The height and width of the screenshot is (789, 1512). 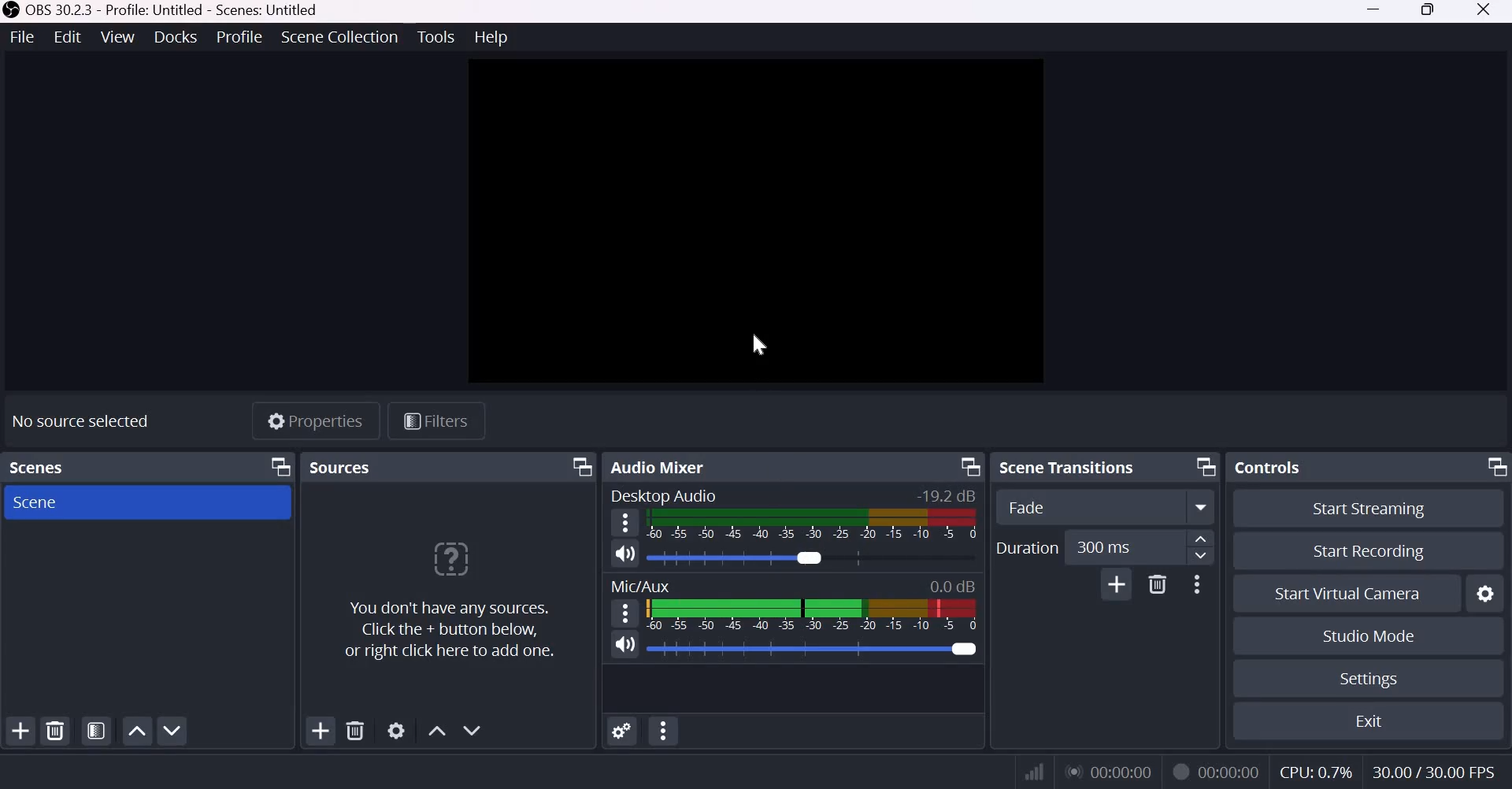 What do you see at coordinates (492, 37) in the screenshot?
I see `Help` at bounding box center [492, 37].